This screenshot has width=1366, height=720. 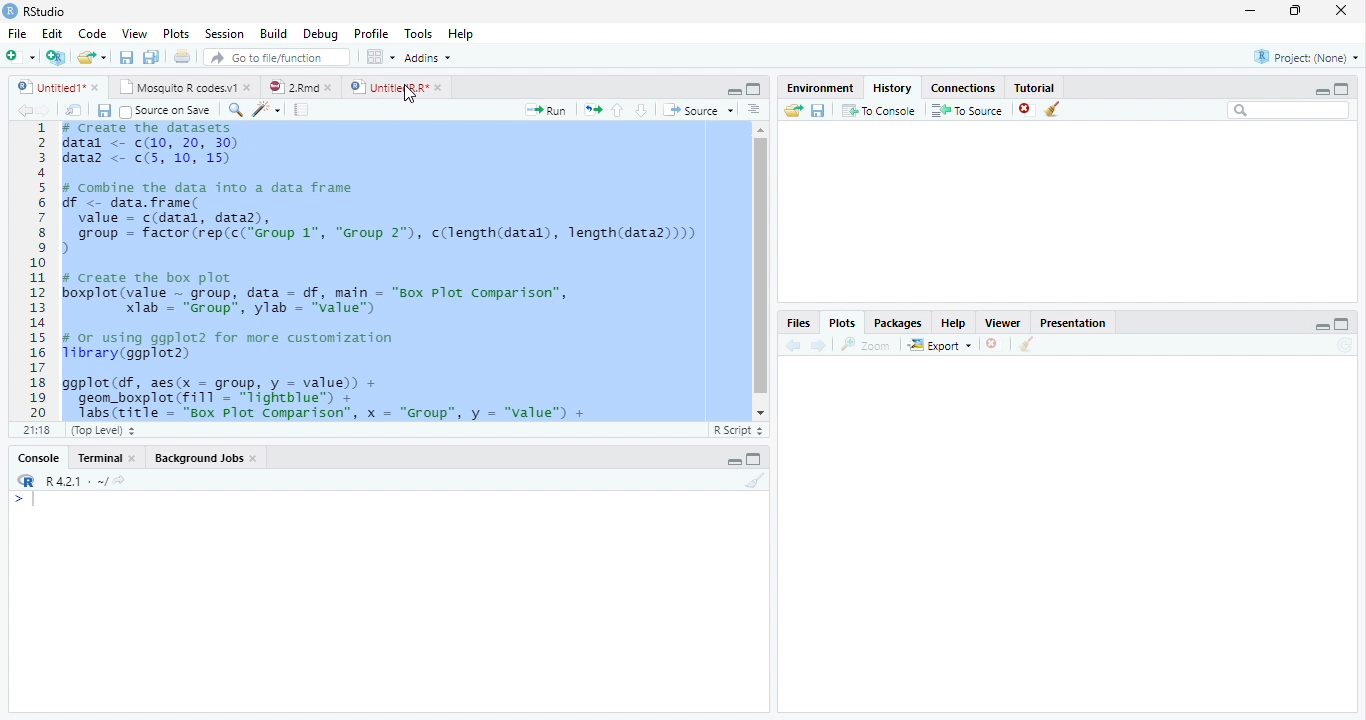 What do you see at coordinates (378, 56) in the screenshot?
I see `Workspace panes` at bounding box center [378, 56].